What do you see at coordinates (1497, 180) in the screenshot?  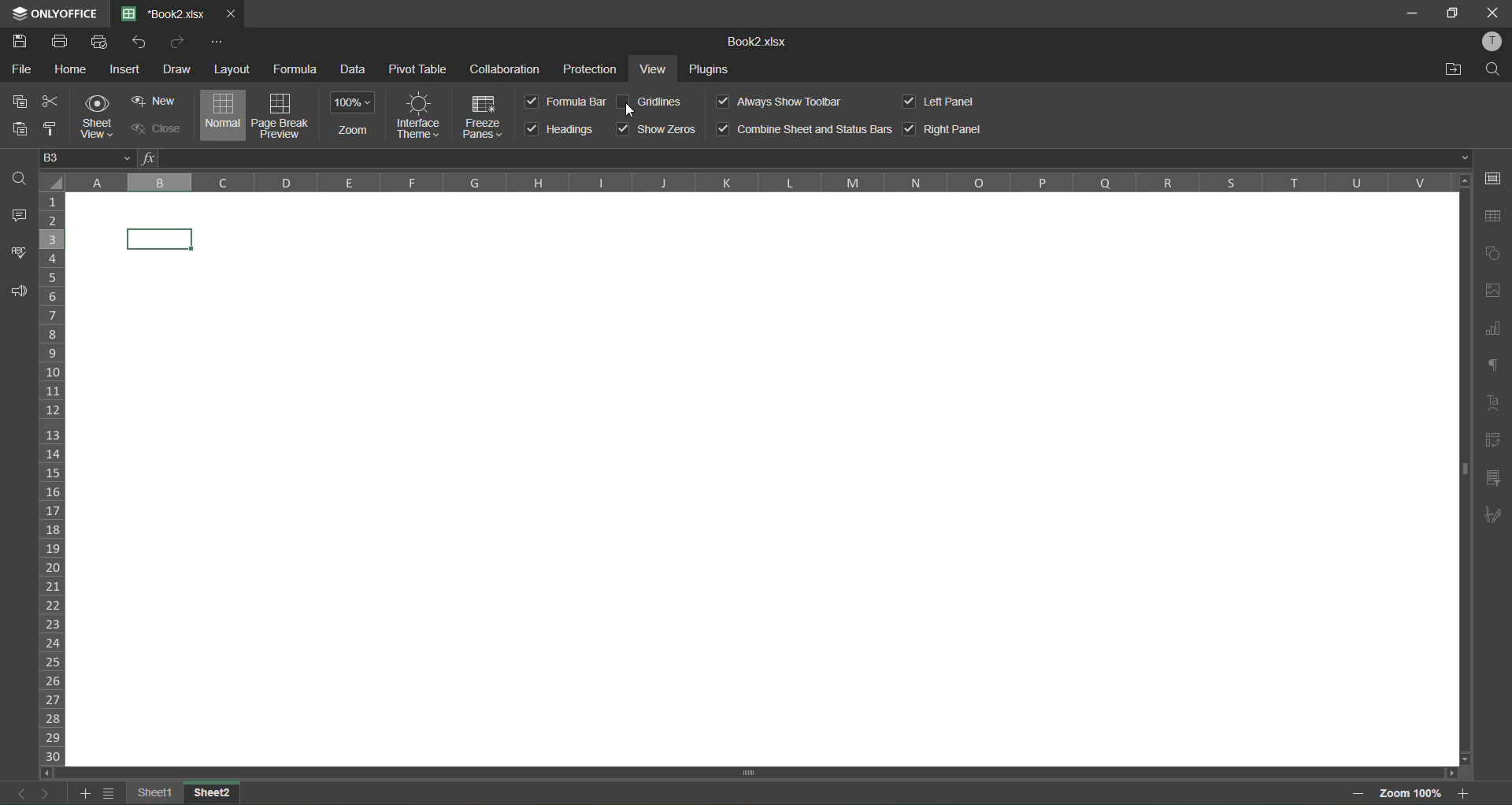 I see `cell settings` at bounding box center [1497, 180].